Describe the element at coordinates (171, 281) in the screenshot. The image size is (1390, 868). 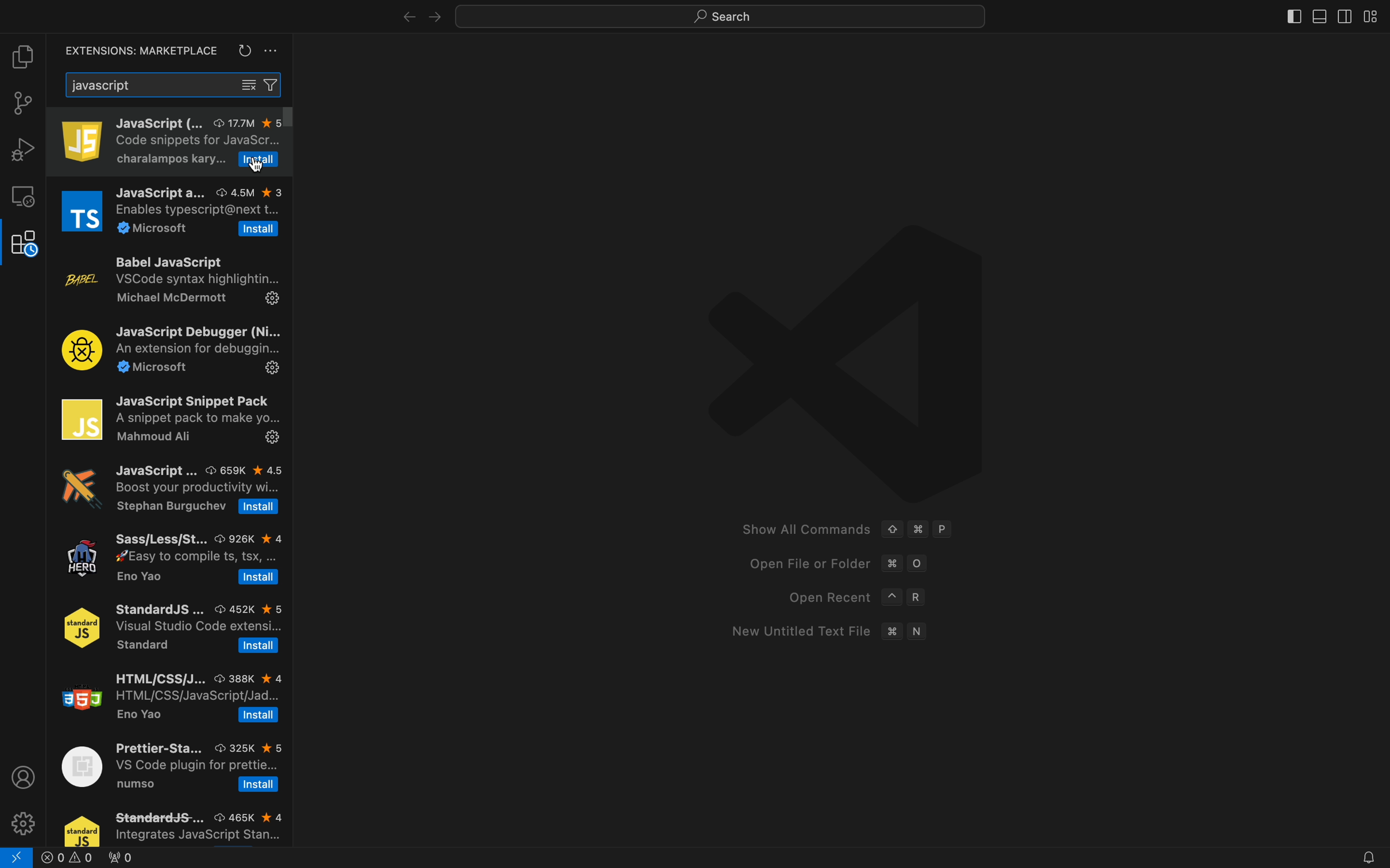
I see `Babel JavaScript
VSCode syntax highlightin...
Michael McDermott 5%` at that location.